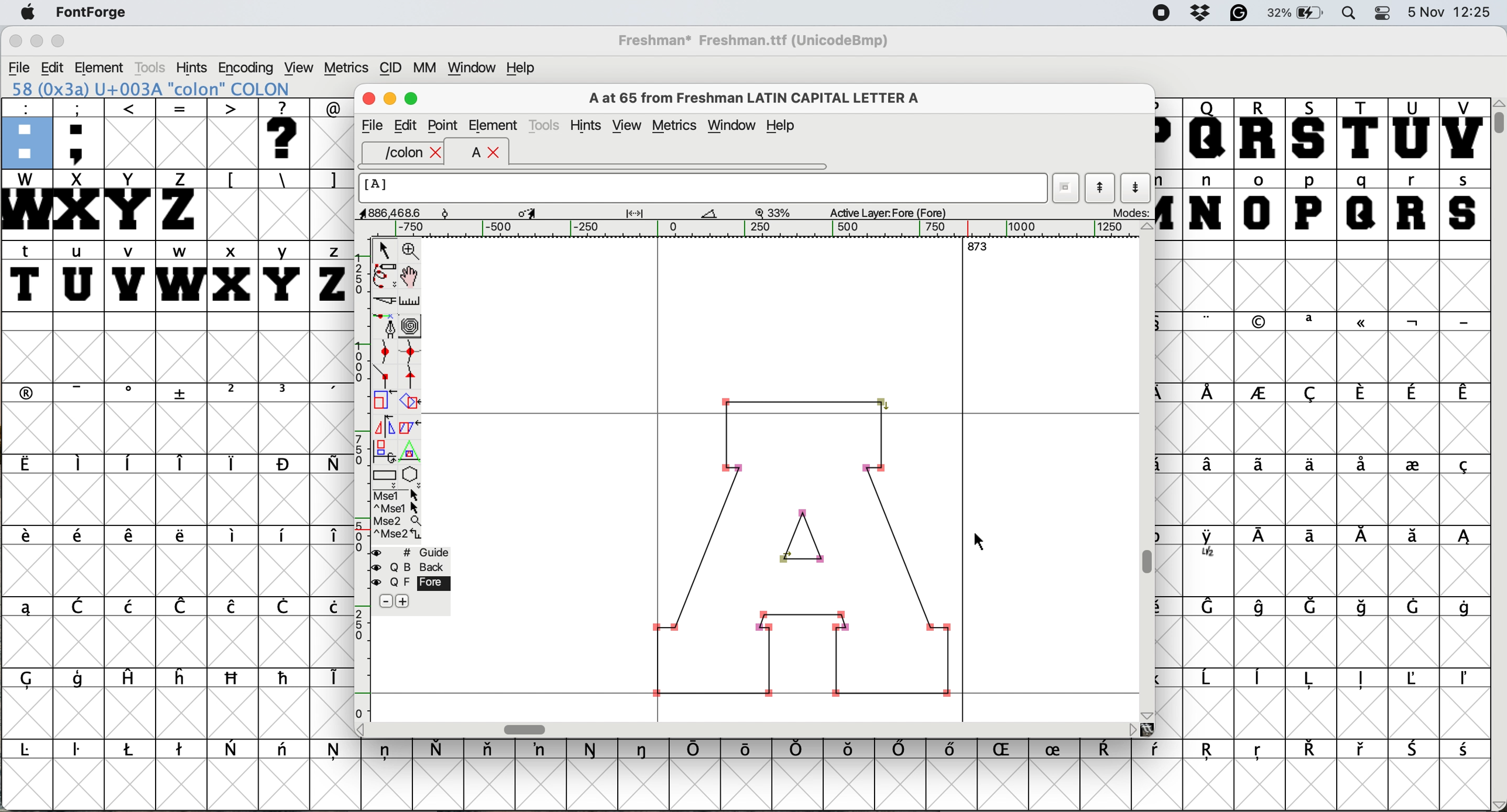 This screenshot has width=1507, height=812. Describe the element at coordinates (1312, 393) in the screenshot. I see `symbol` at that location.